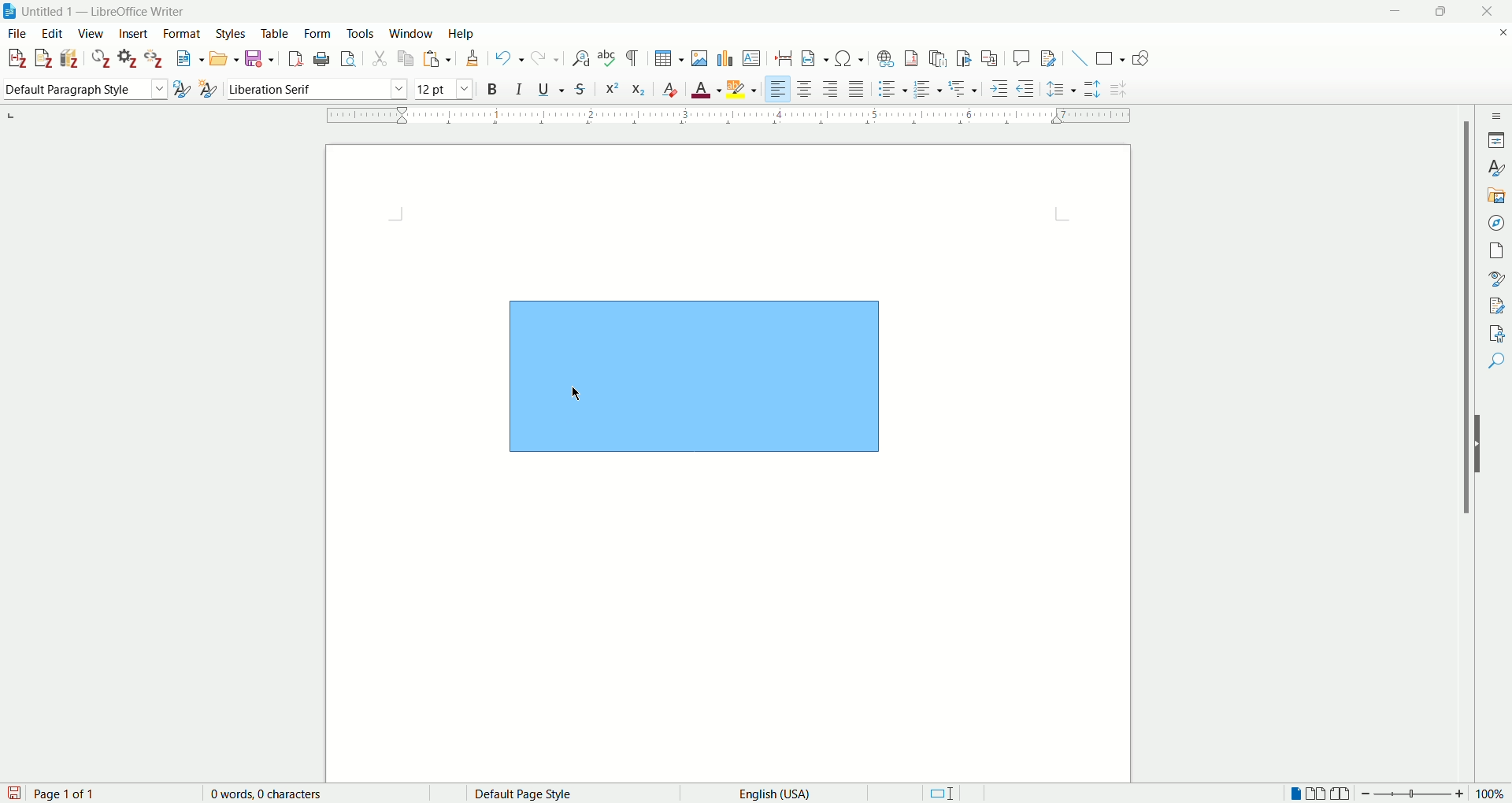  Describe the element at coordinates (1494, 117) in the screenshot. I see `sidebar settings` at that location.